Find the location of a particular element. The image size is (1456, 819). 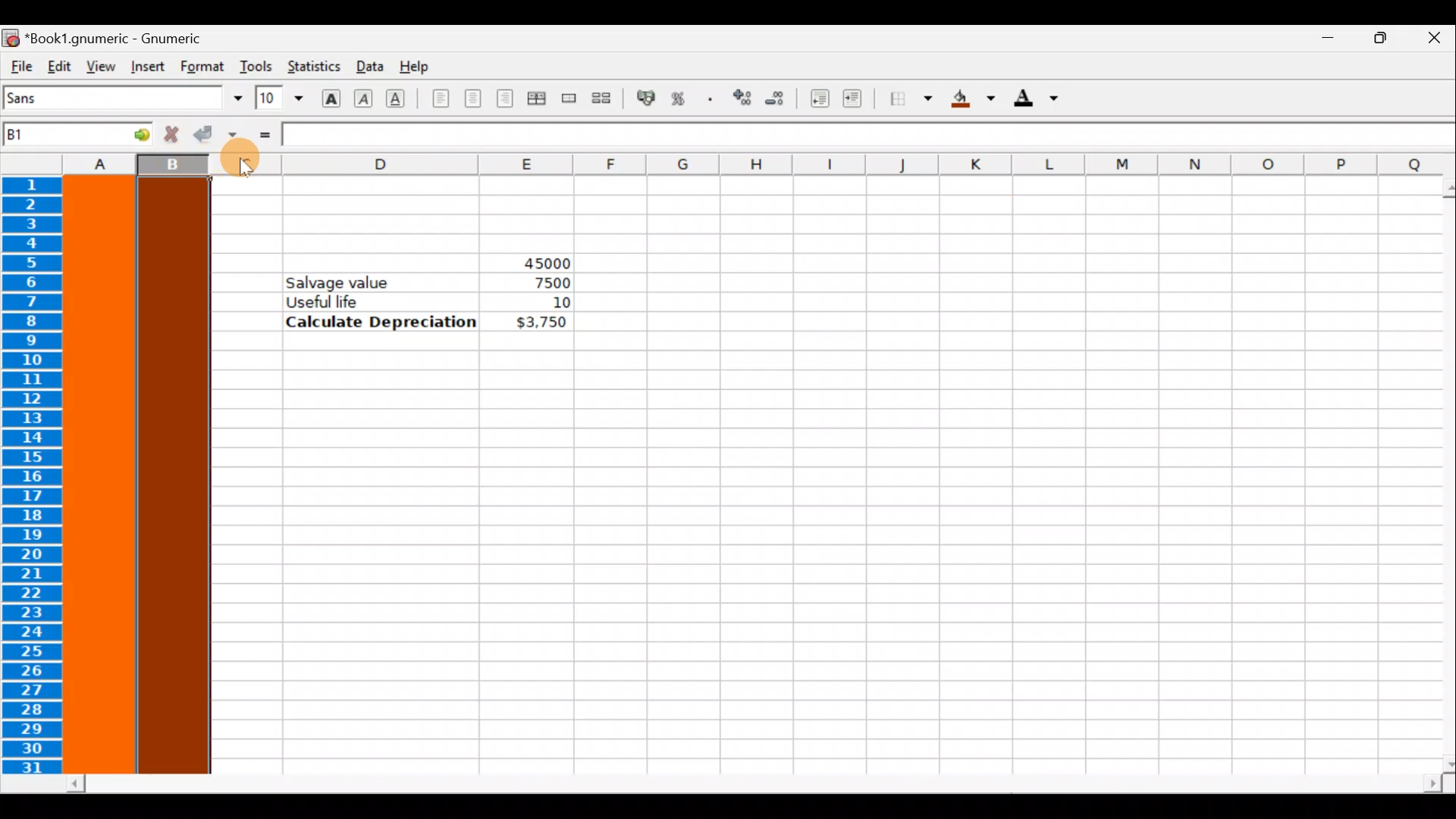

Align left is located at coordinates (441, 99).